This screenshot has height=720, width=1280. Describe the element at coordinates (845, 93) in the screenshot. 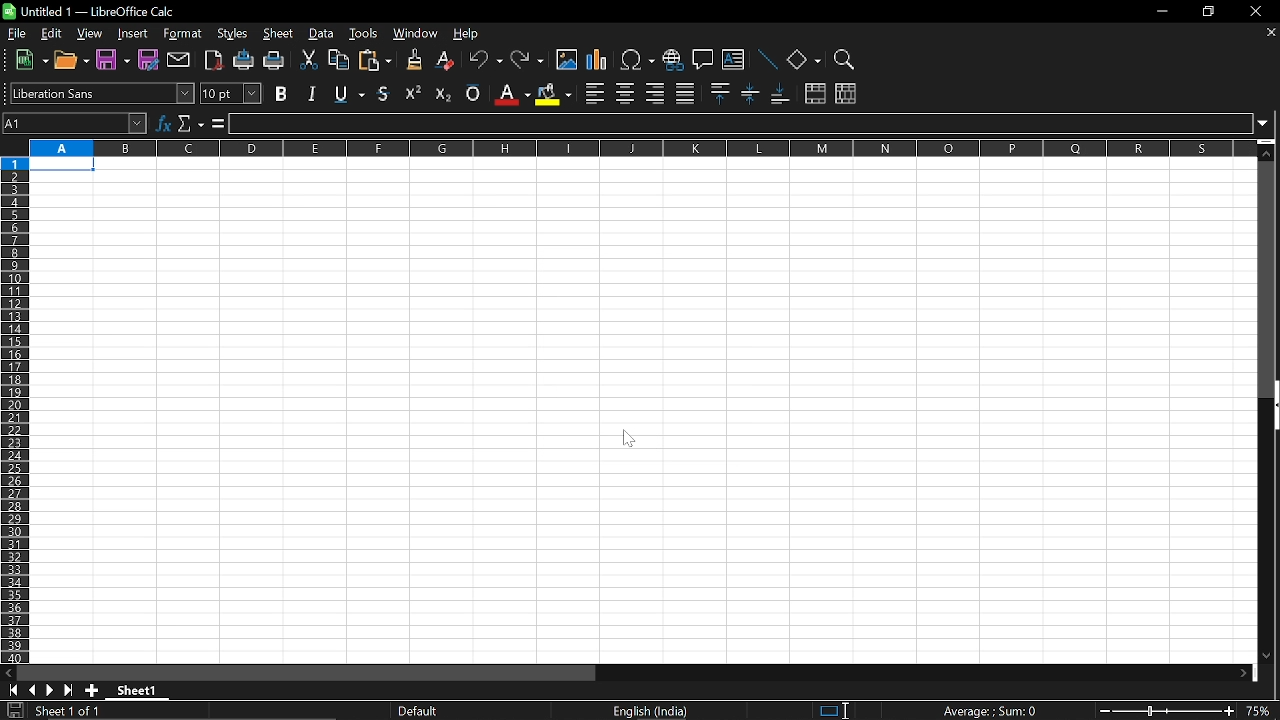

I see `unmerge cells` at that location.